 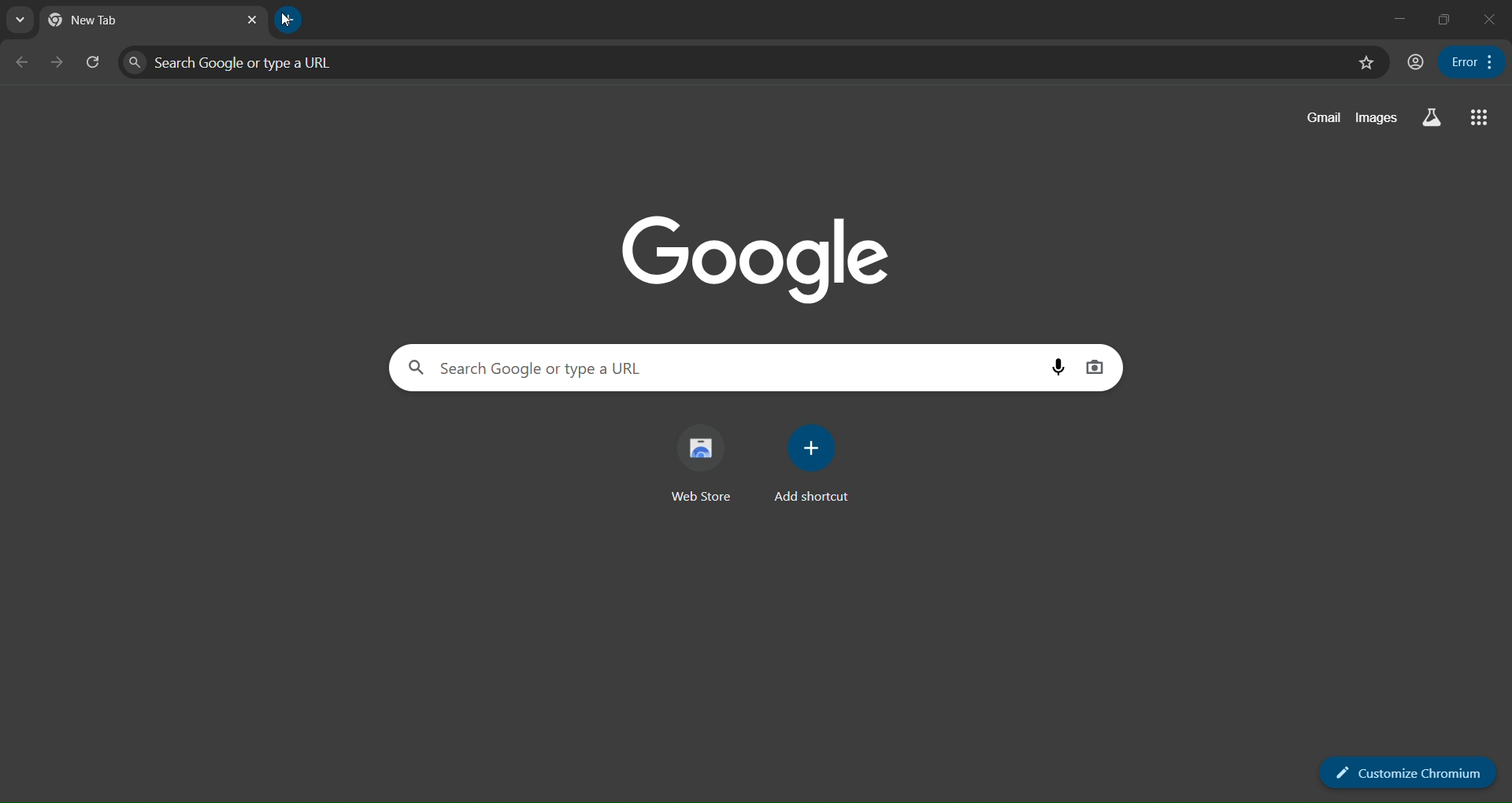 What do you see at coordinates (1093, 368) in the screenshot?
I see `google lens` at bounding box center [1093, 368].